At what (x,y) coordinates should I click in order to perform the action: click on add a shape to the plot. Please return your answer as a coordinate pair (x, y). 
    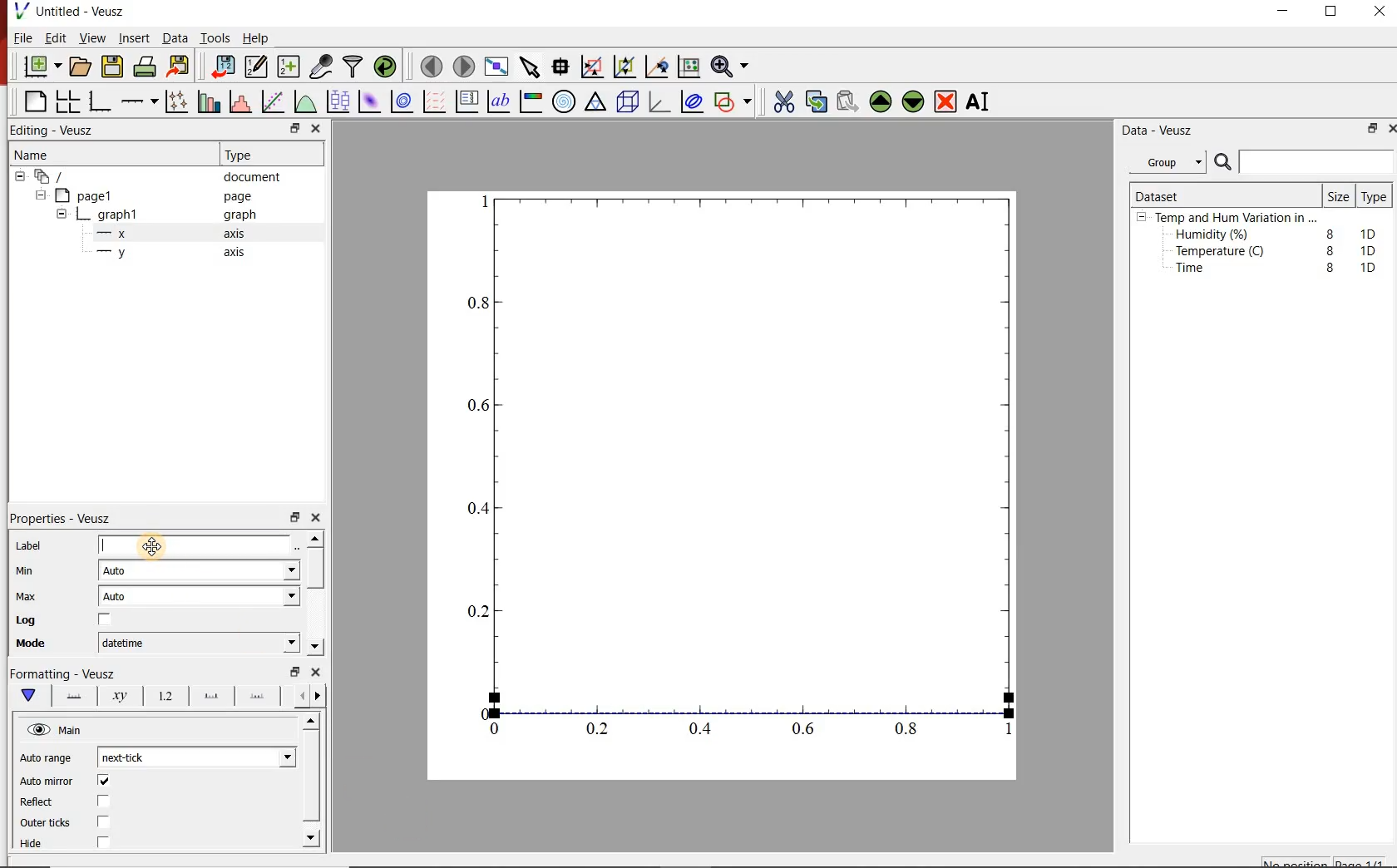
    Looking at the image, I should click on (737, 104).